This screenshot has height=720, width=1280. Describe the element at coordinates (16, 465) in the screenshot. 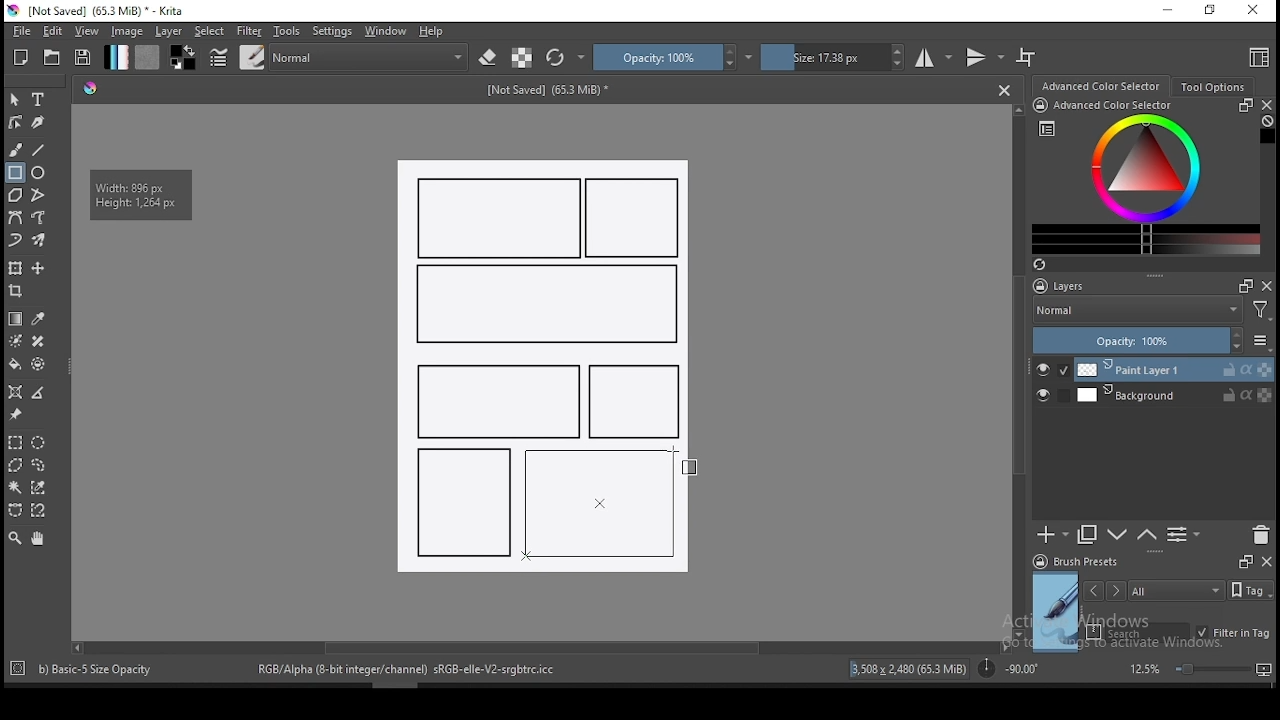

I see `polygon selection tool` at that location.